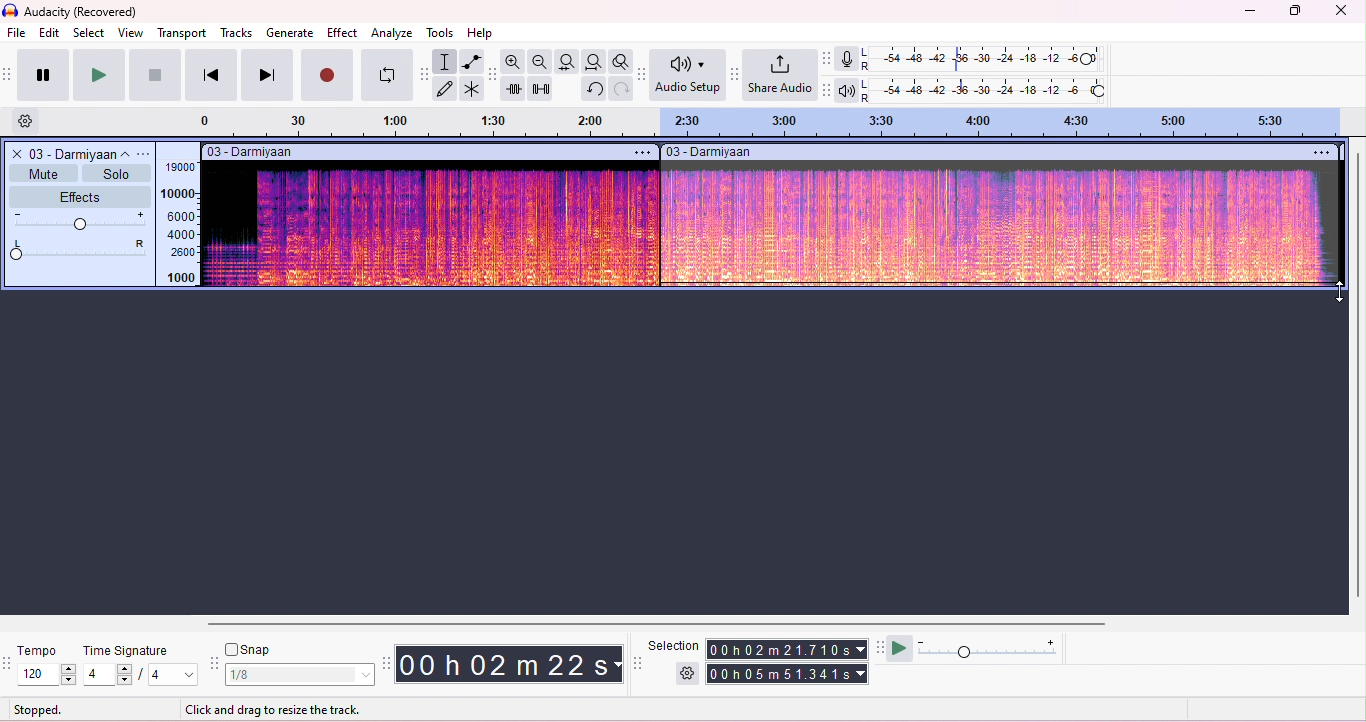  I want to click on playback speed, so click(991, 649).